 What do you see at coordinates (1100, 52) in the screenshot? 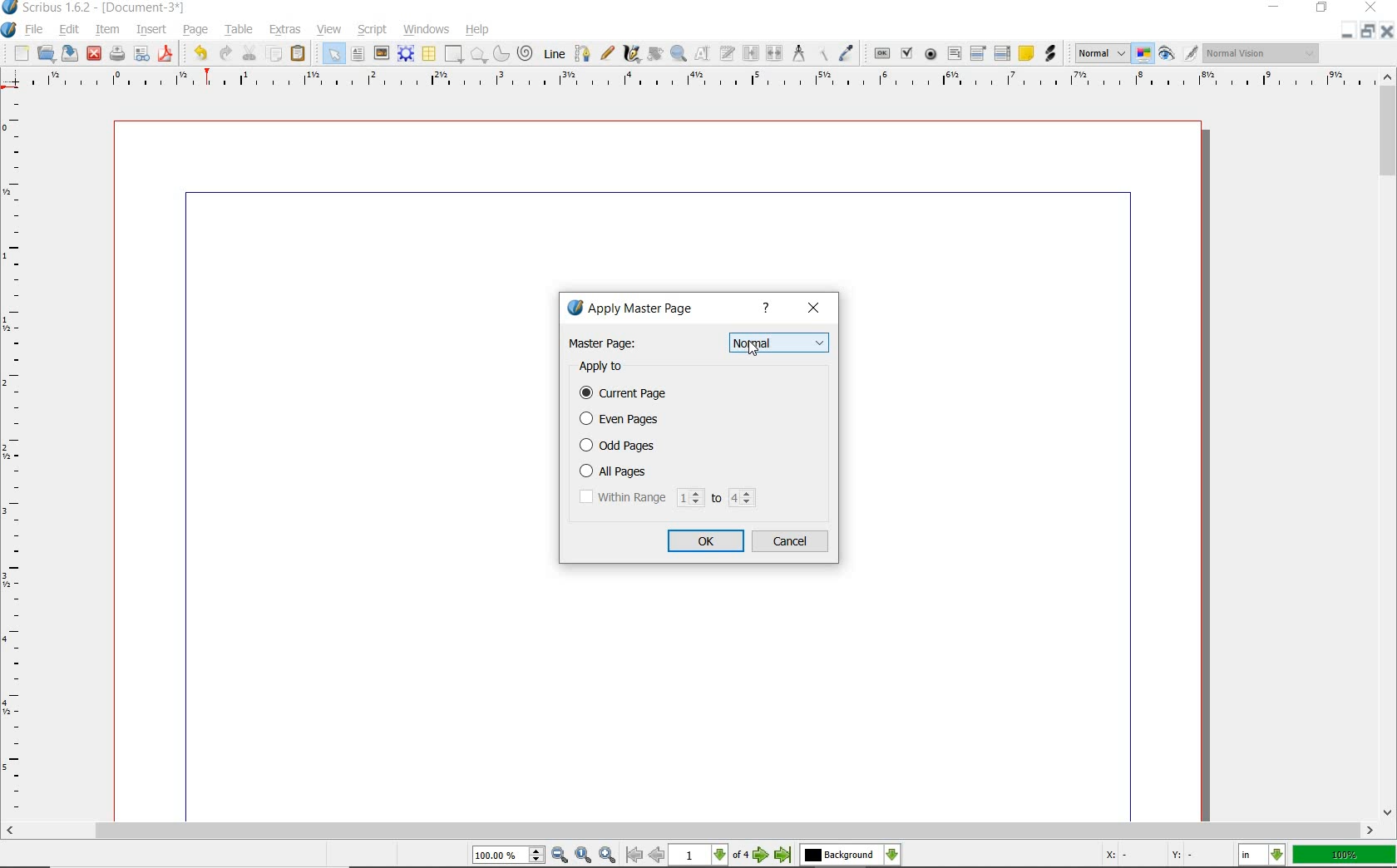
I see `select image preview mode: Normal` at bounding box center [1100, 52].